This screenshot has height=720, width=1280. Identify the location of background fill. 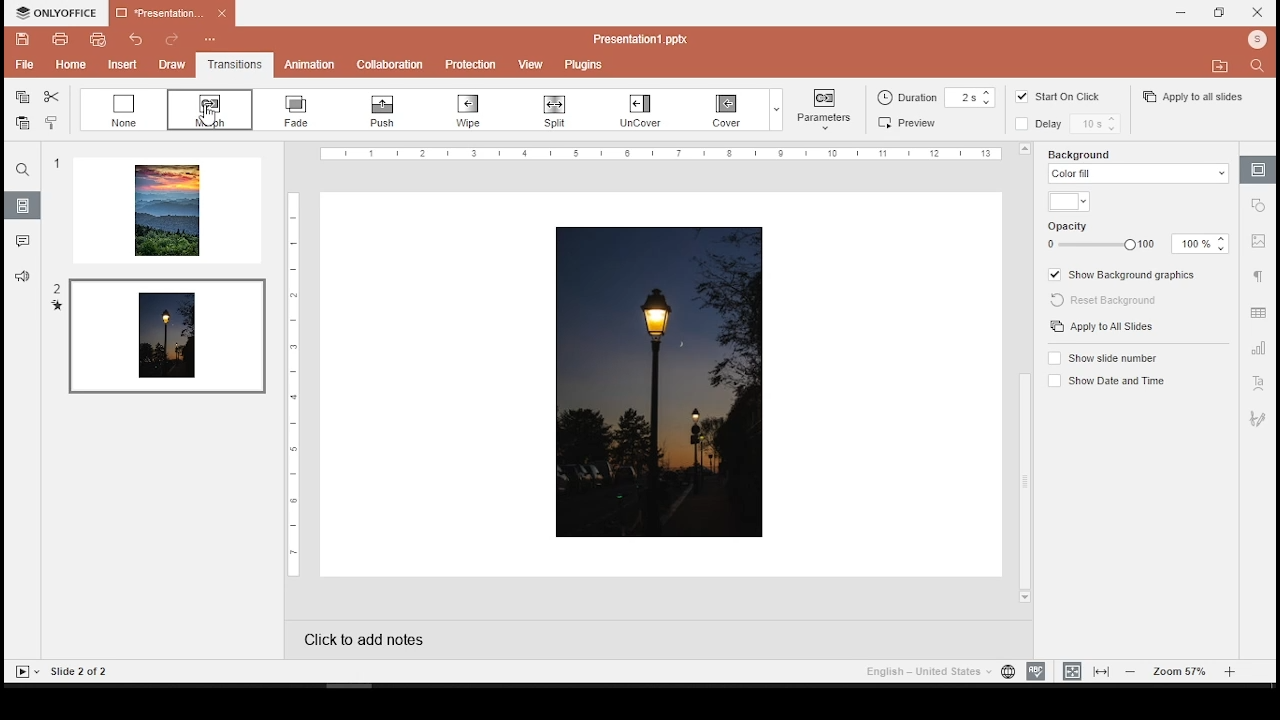
(1138, 166).